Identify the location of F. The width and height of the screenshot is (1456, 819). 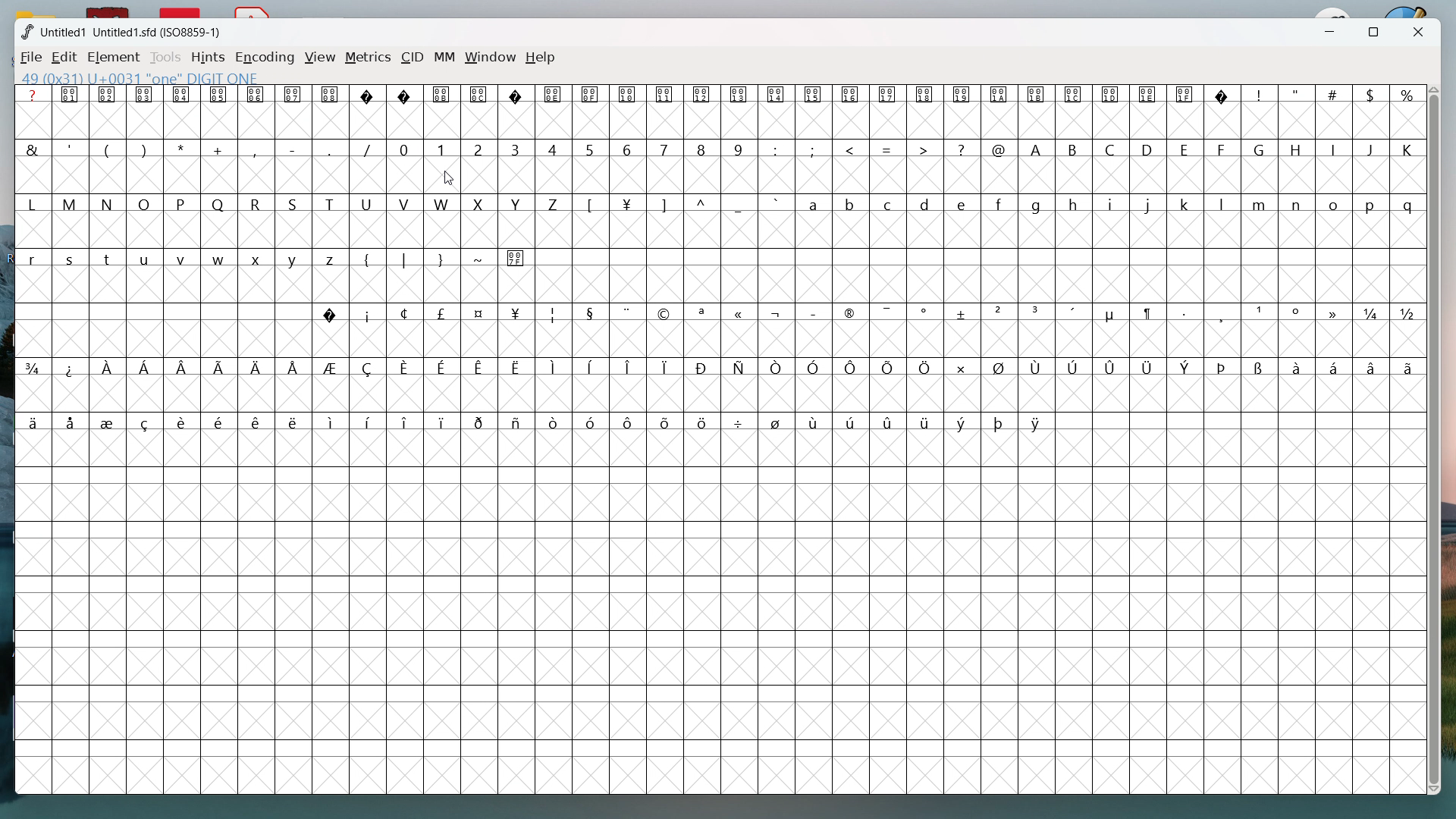
(1222, 147).